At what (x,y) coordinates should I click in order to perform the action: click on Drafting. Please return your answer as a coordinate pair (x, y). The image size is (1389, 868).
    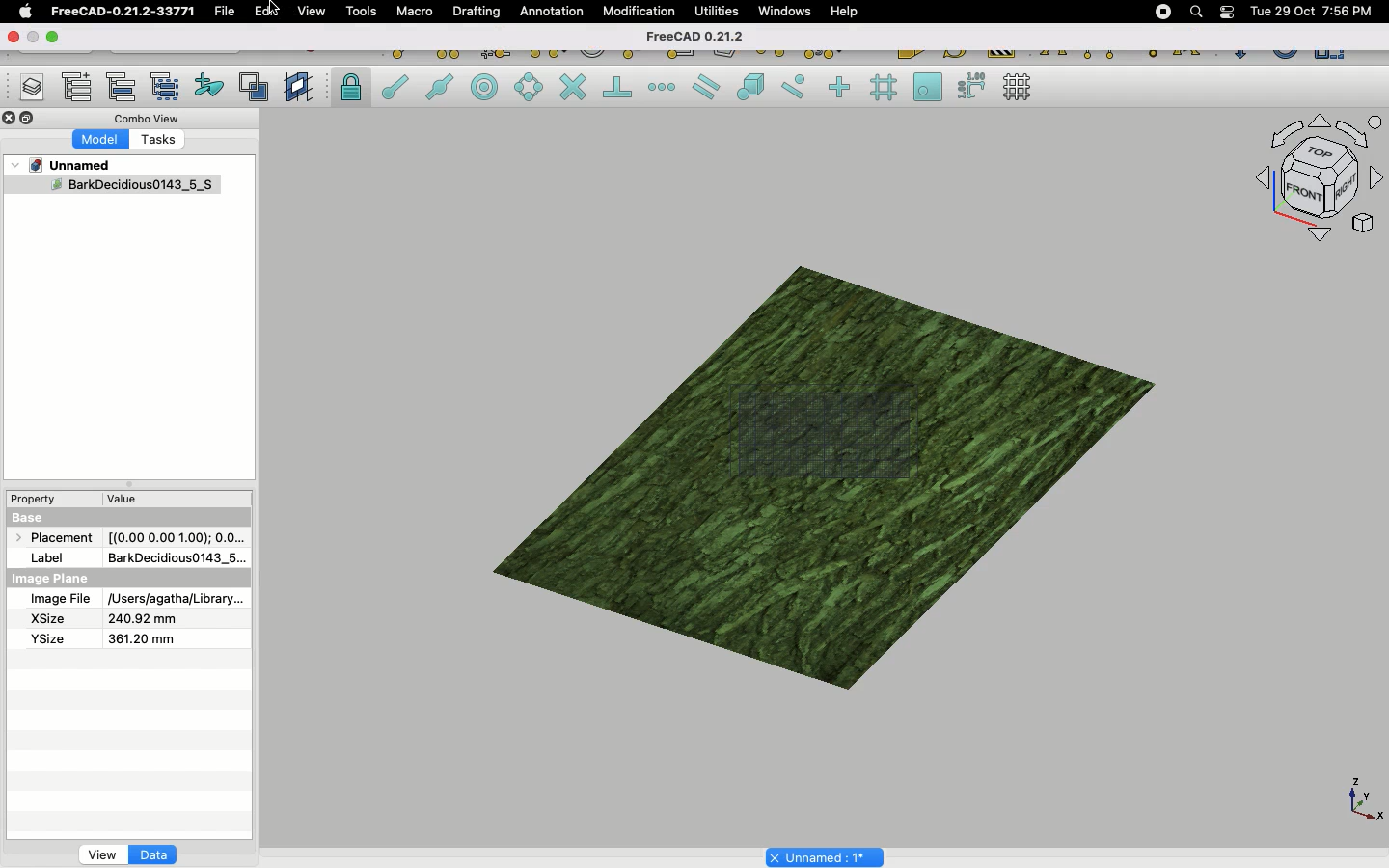
    Looking at the image, I should click on (478, 11).